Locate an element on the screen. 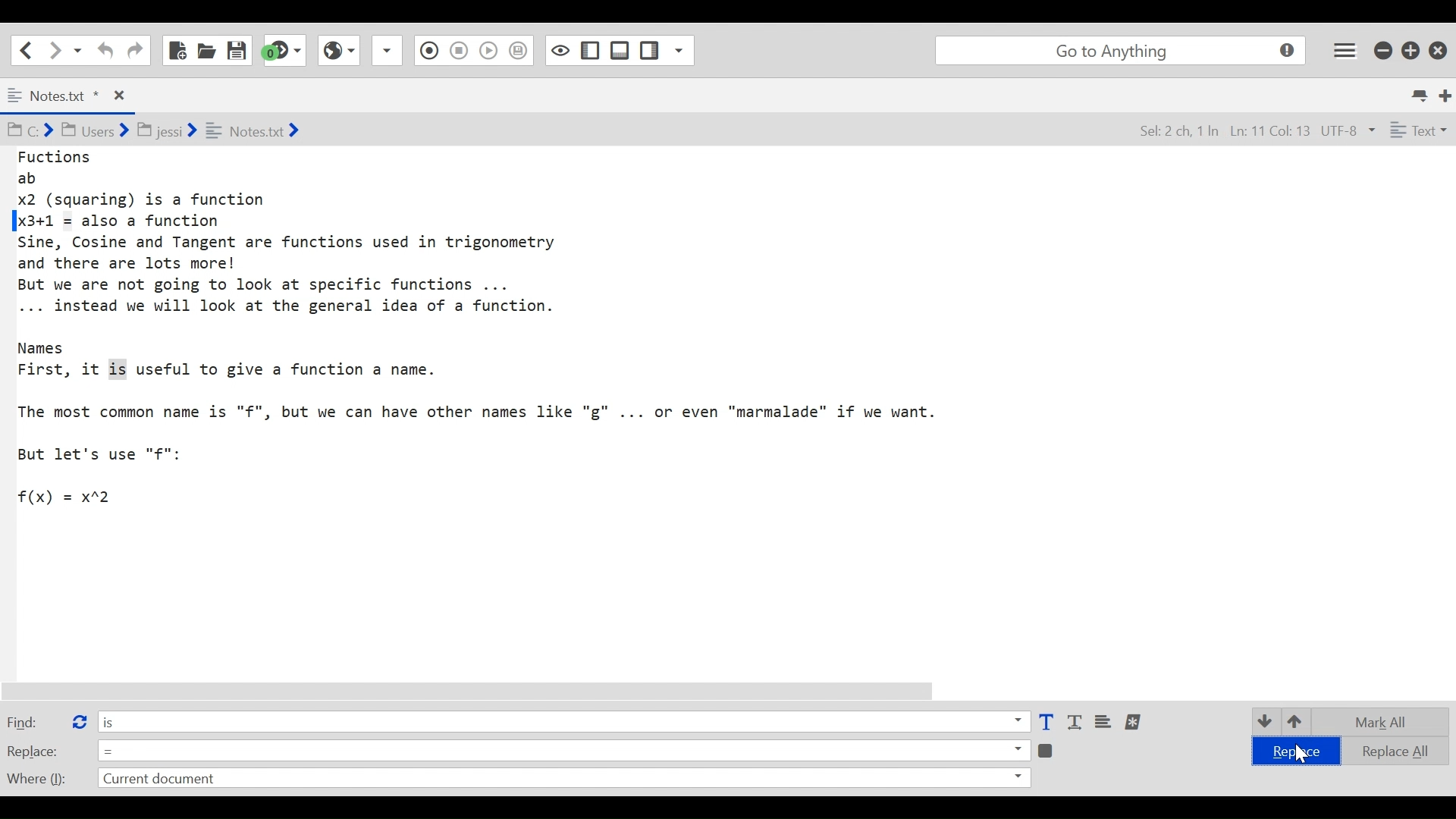  Recording Macro is located at coordinates (388, 50).